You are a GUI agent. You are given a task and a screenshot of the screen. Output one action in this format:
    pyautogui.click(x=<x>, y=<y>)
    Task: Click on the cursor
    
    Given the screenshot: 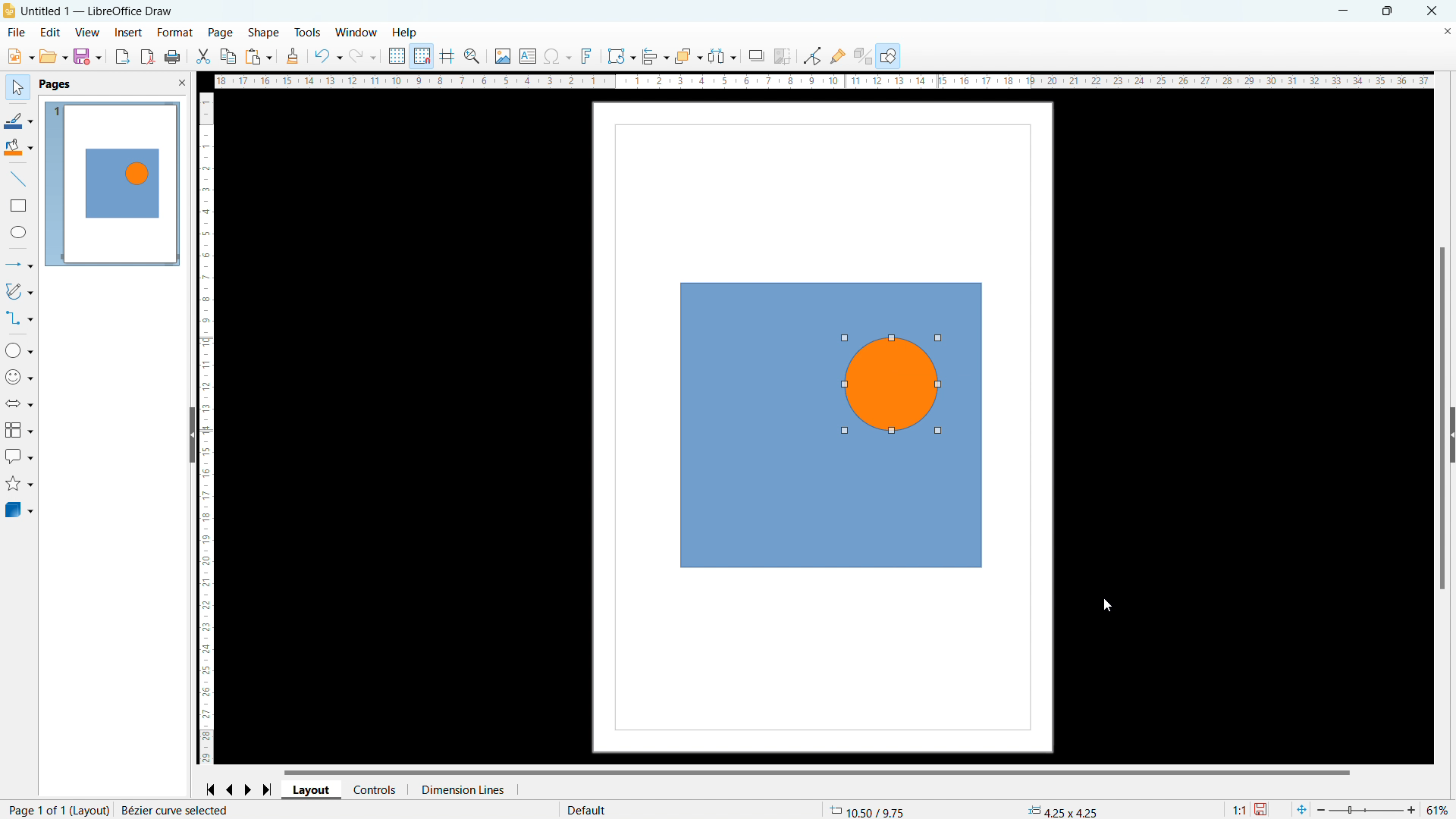 What is the action you would take?
    pyautogui.click(x=1106, y=605)
    